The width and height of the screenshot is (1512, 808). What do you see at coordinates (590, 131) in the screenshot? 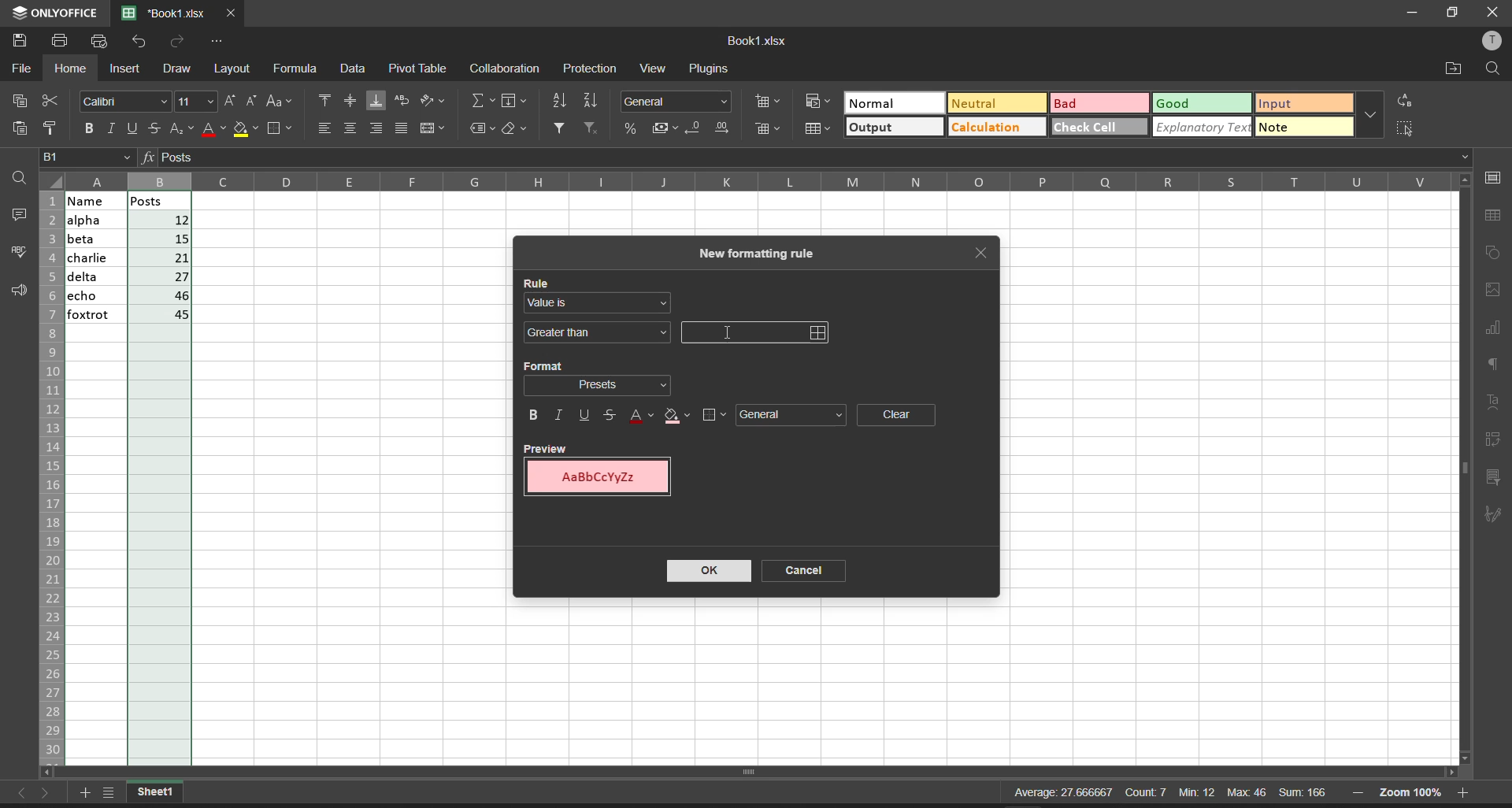
I see `clear filters` at bounding box center [590, 131].